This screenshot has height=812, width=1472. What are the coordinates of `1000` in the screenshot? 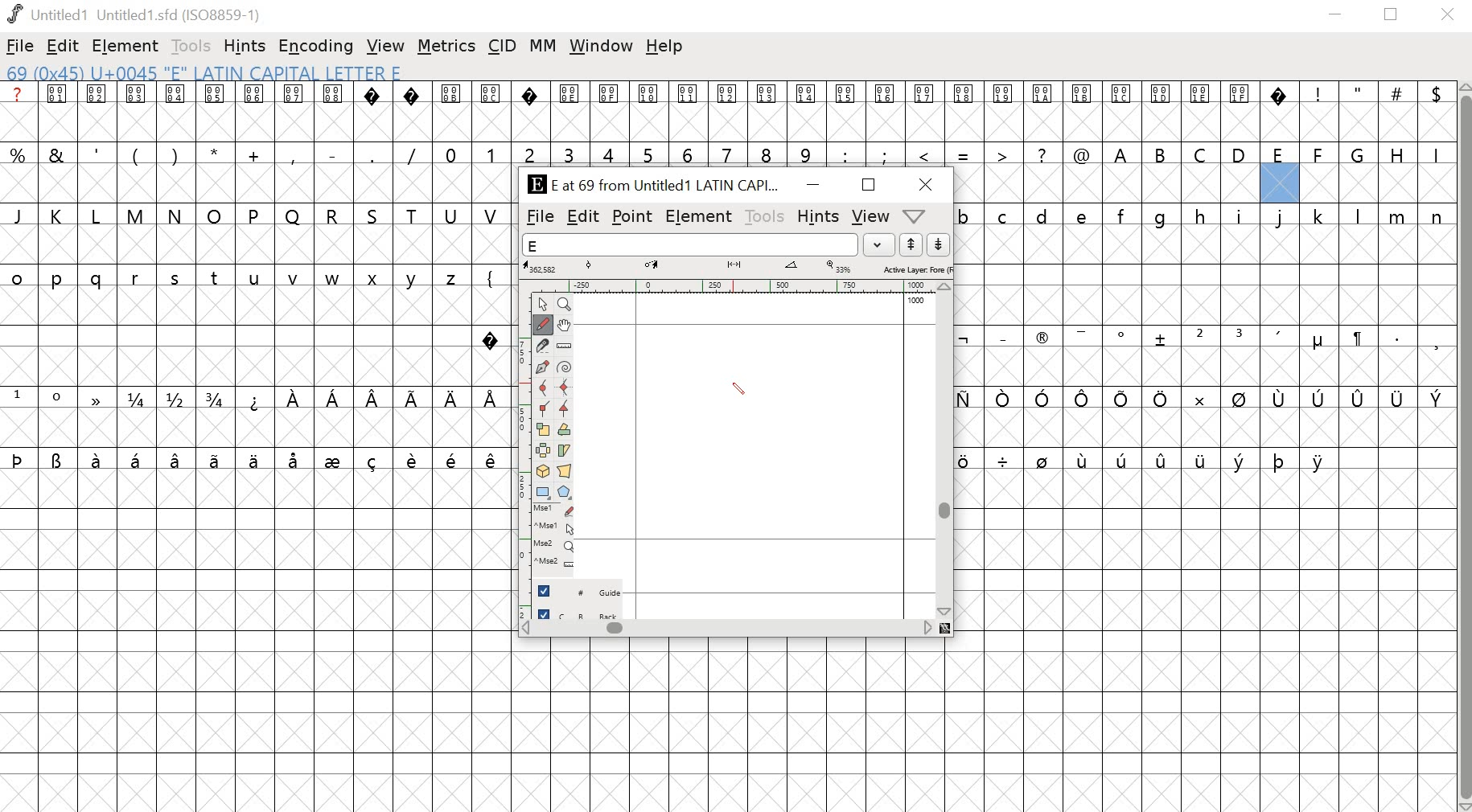 It's located at (917, 301).